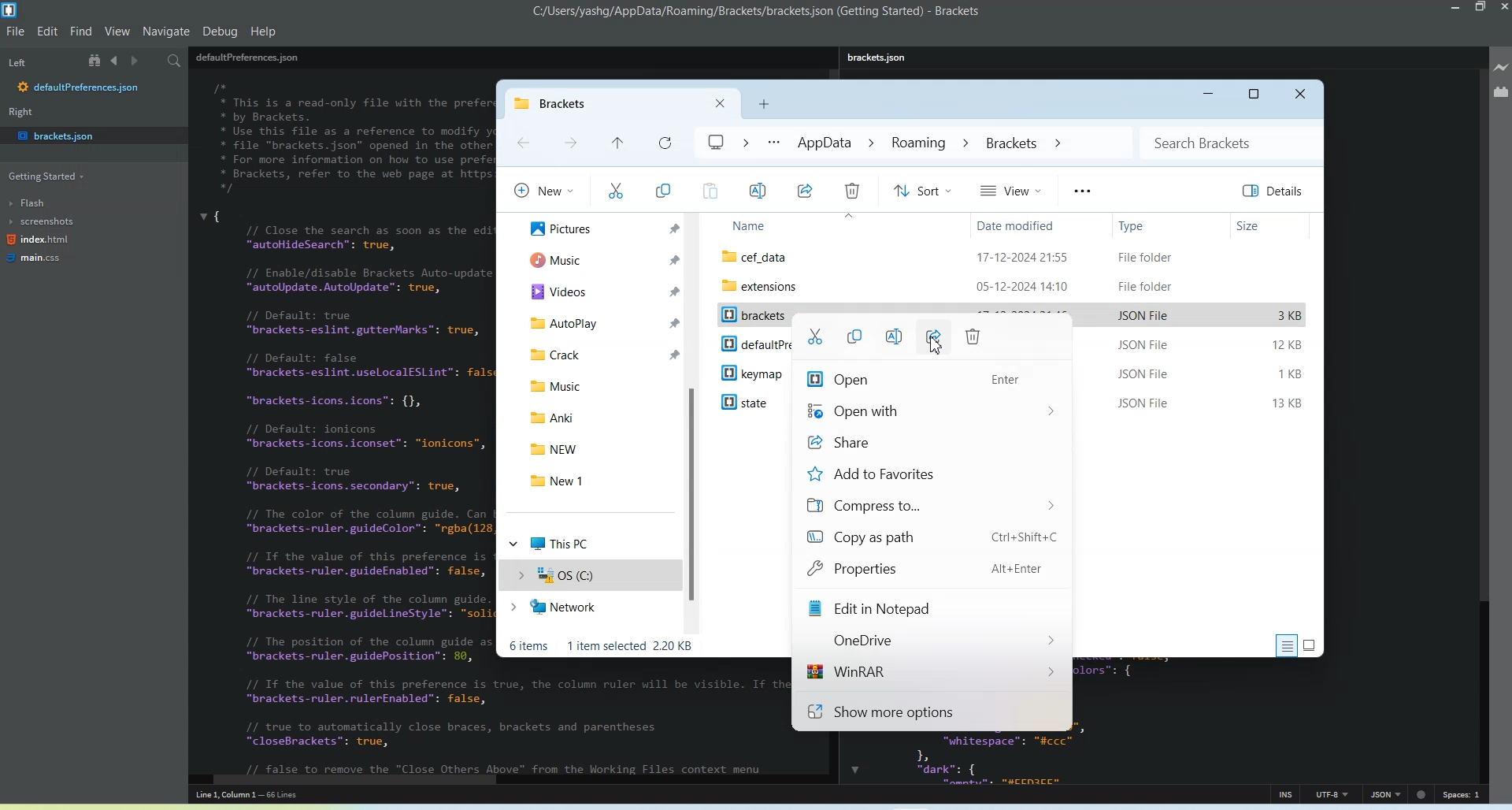 This screenshot has width=1512, height=810. What do you see at coordinates (1043, 225) in the screenshot?
I see `Date modified` at bounding box center [1043, 225].